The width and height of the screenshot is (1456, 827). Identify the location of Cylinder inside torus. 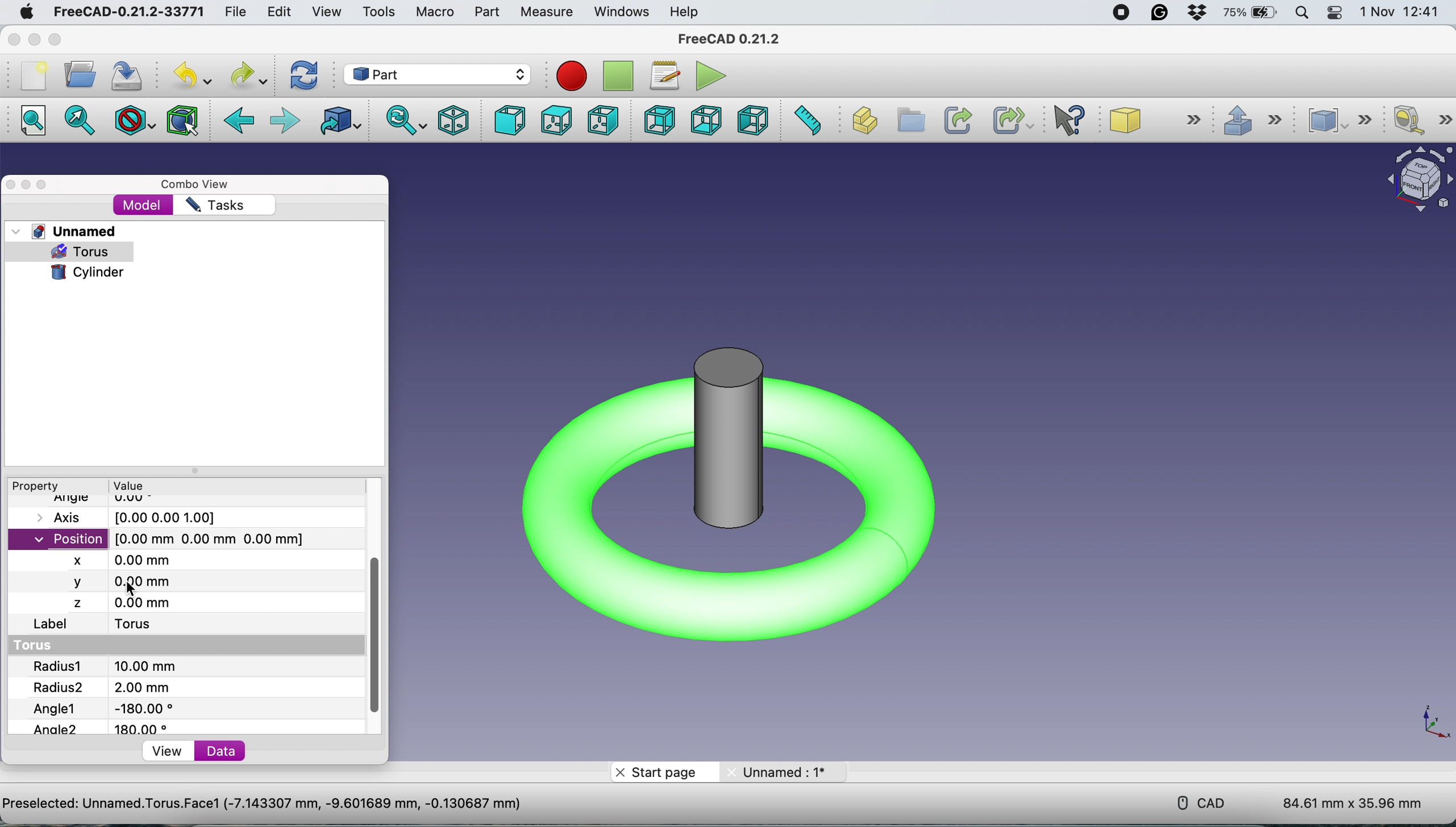
(729, 505).